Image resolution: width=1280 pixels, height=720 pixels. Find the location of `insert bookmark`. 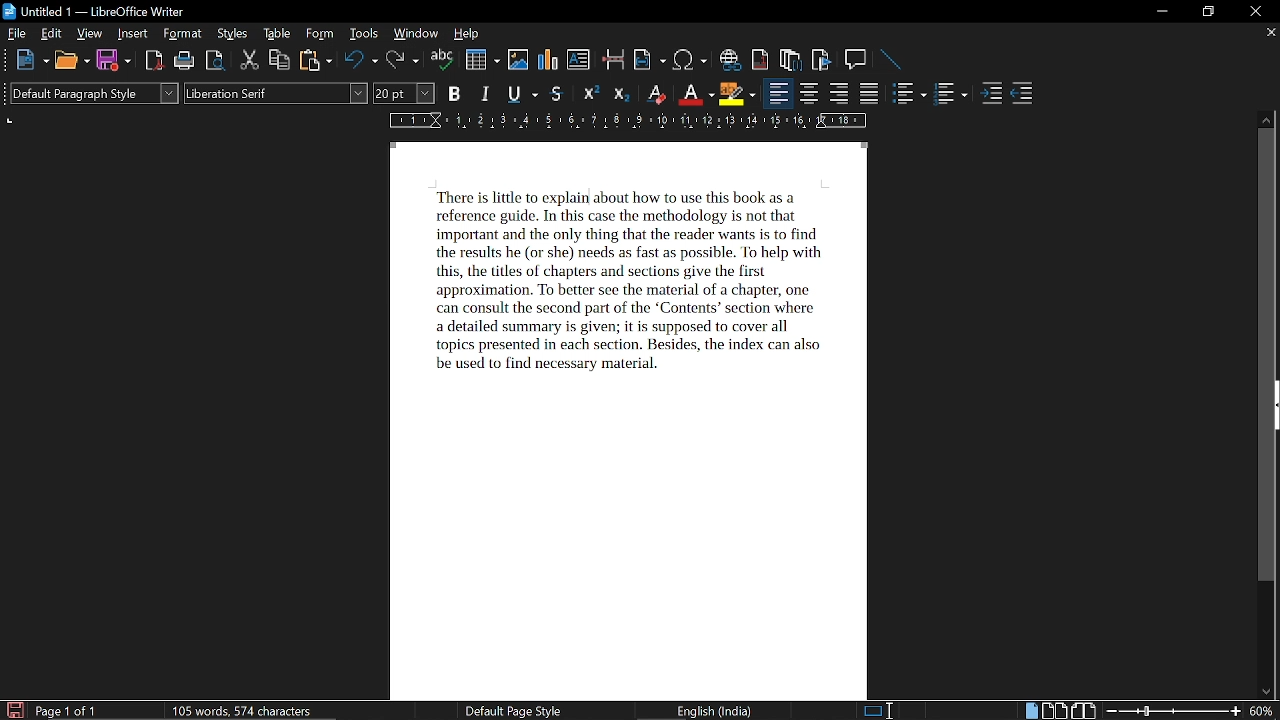

insert bookmark is located at coordinates (822, 60).